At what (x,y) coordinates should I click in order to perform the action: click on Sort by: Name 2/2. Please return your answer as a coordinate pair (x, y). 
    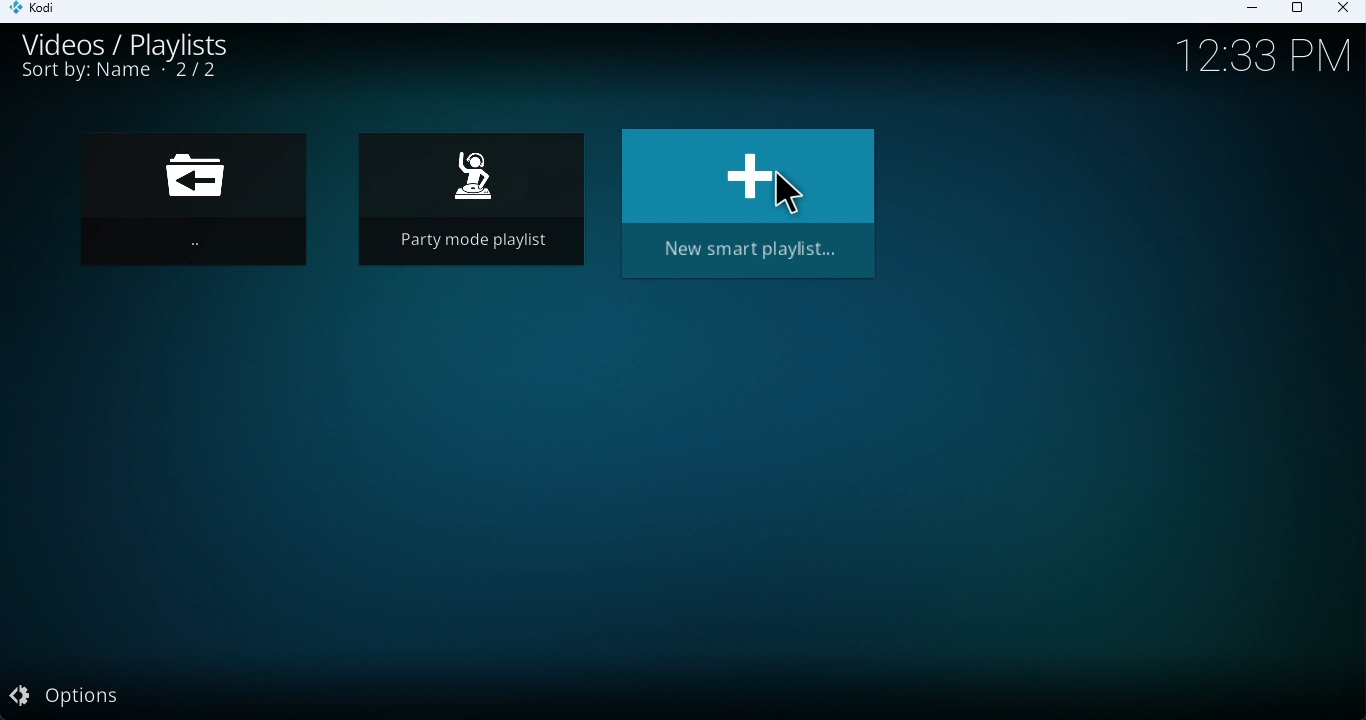
    Looking at the image, I should click on (120, 76).